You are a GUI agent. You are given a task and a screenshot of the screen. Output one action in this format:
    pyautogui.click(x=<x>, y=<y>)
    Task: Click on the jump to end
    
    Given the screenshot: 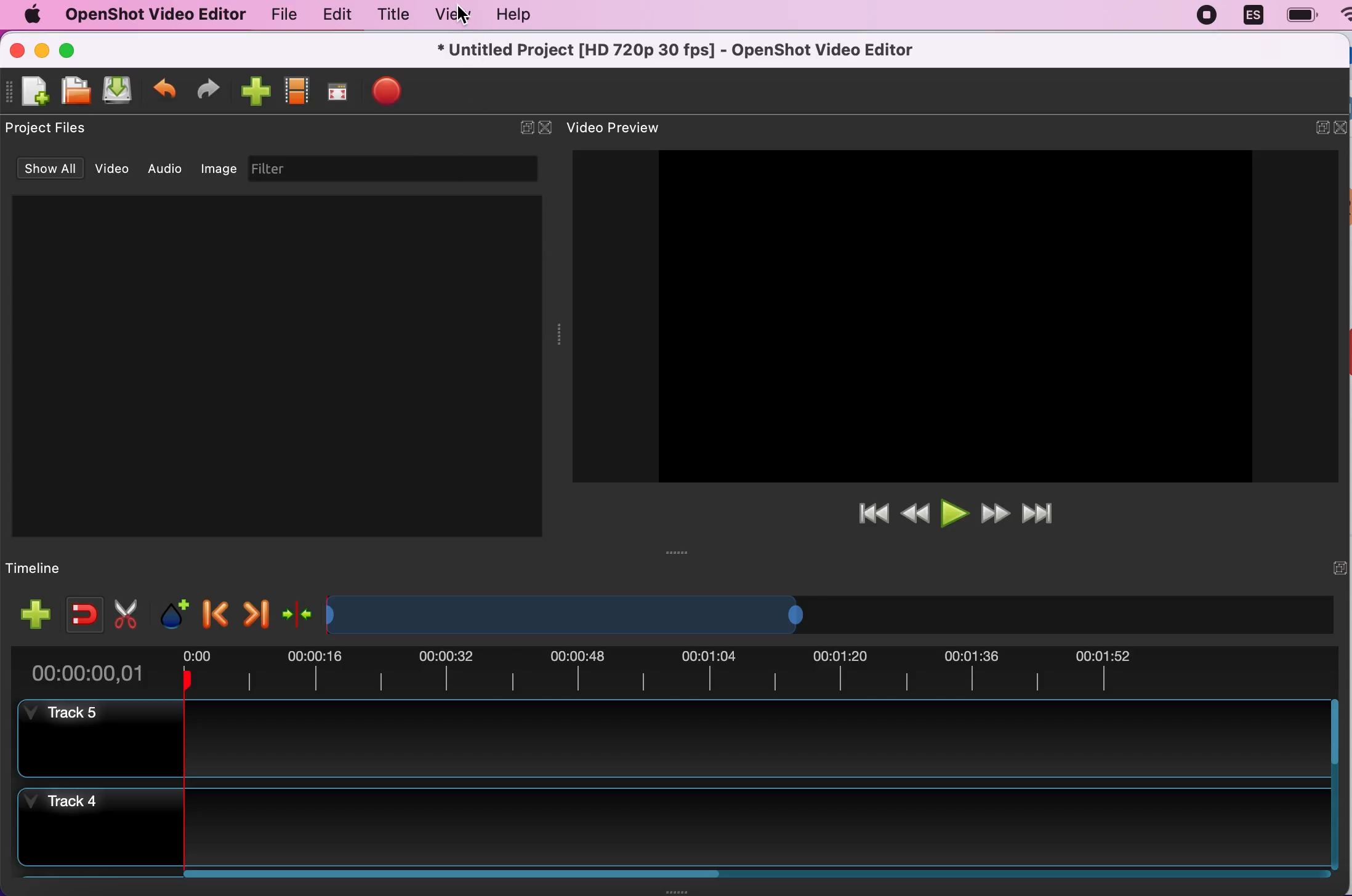 What is the action you would take?
    pyautogui.click(x=1048, y=509)
    